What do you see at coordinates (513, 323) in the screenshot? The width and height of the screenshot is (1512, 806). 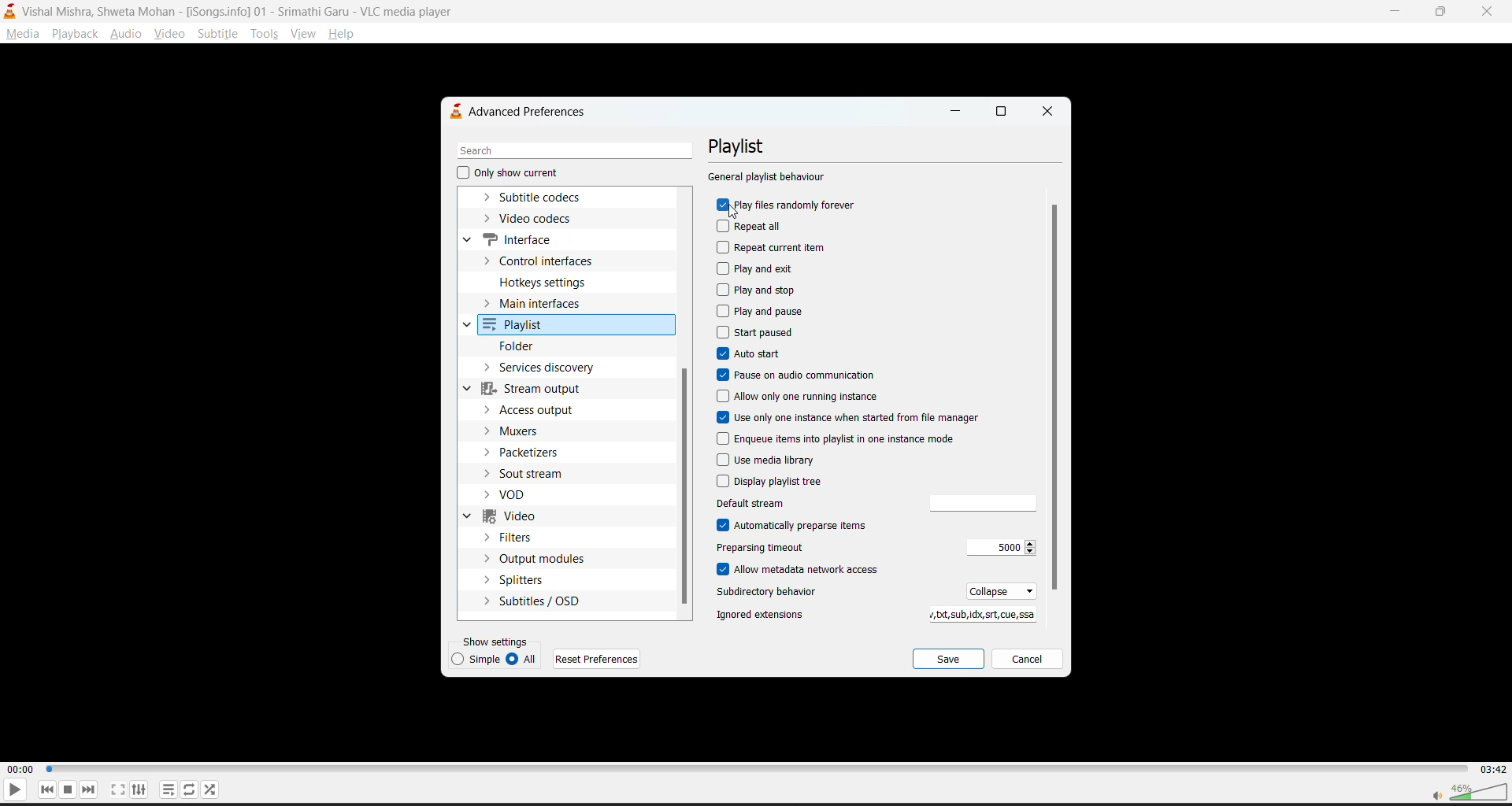 I see `playlist` at bounding box center [513, 323].